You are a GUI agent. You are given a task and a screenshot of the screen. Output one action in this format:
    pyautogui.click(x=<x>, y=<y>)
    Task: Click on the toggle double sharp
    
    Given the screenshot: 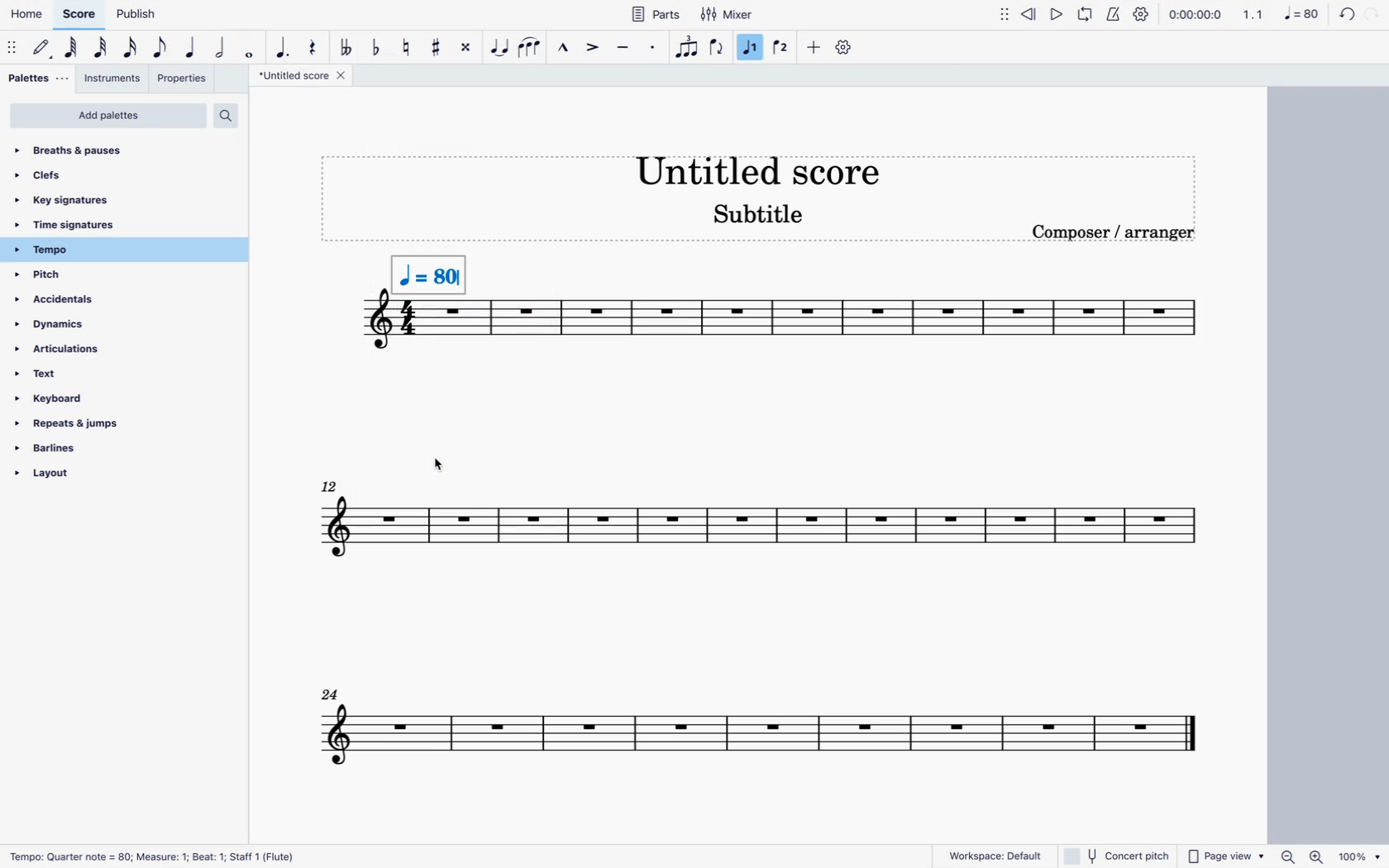 What is the action you would take?
    pyautogui.click(x=465, y=48)
    